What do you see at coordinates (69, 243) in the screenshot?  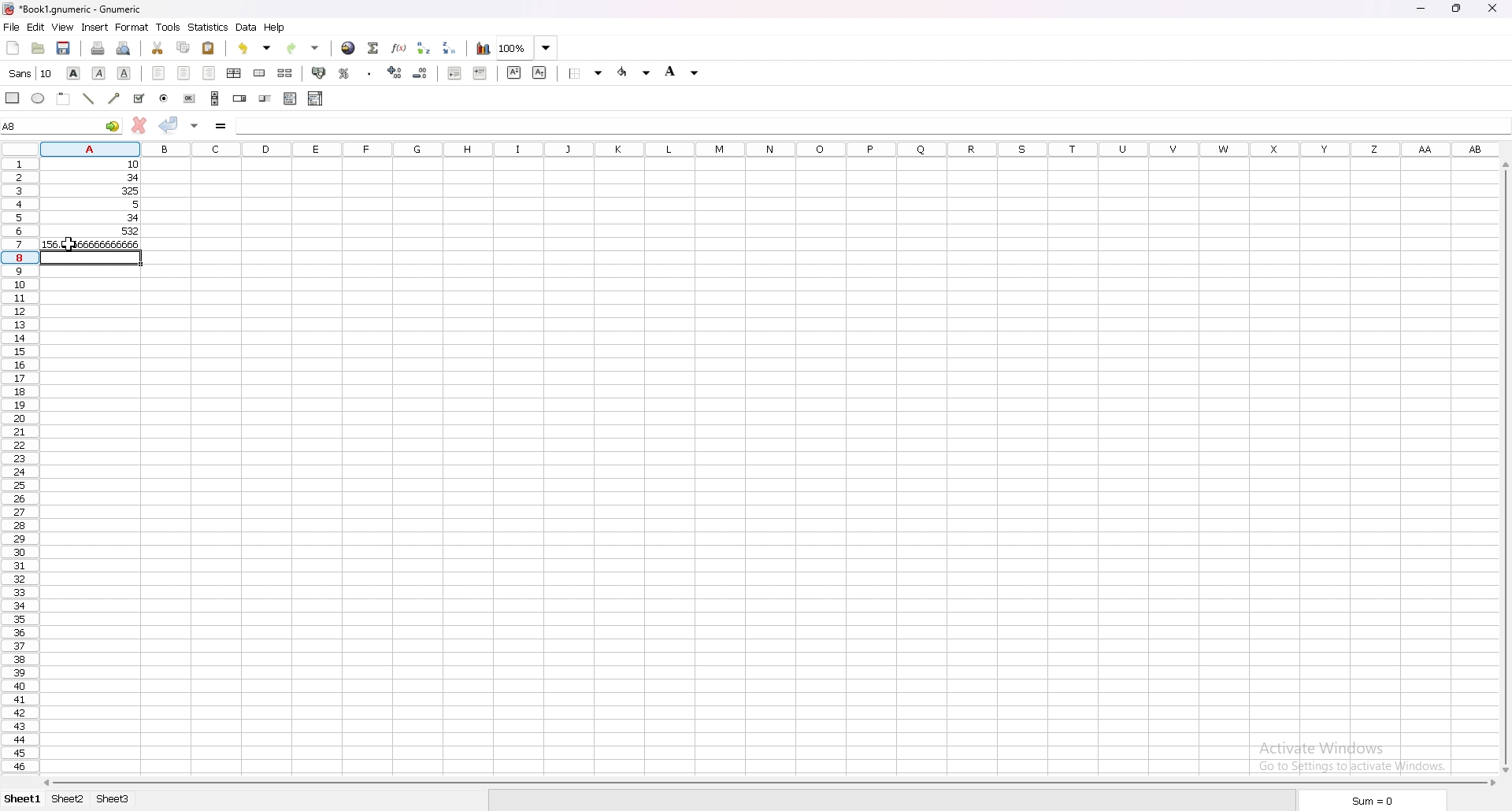 I see `cursor` at bounding box center [69, 243].